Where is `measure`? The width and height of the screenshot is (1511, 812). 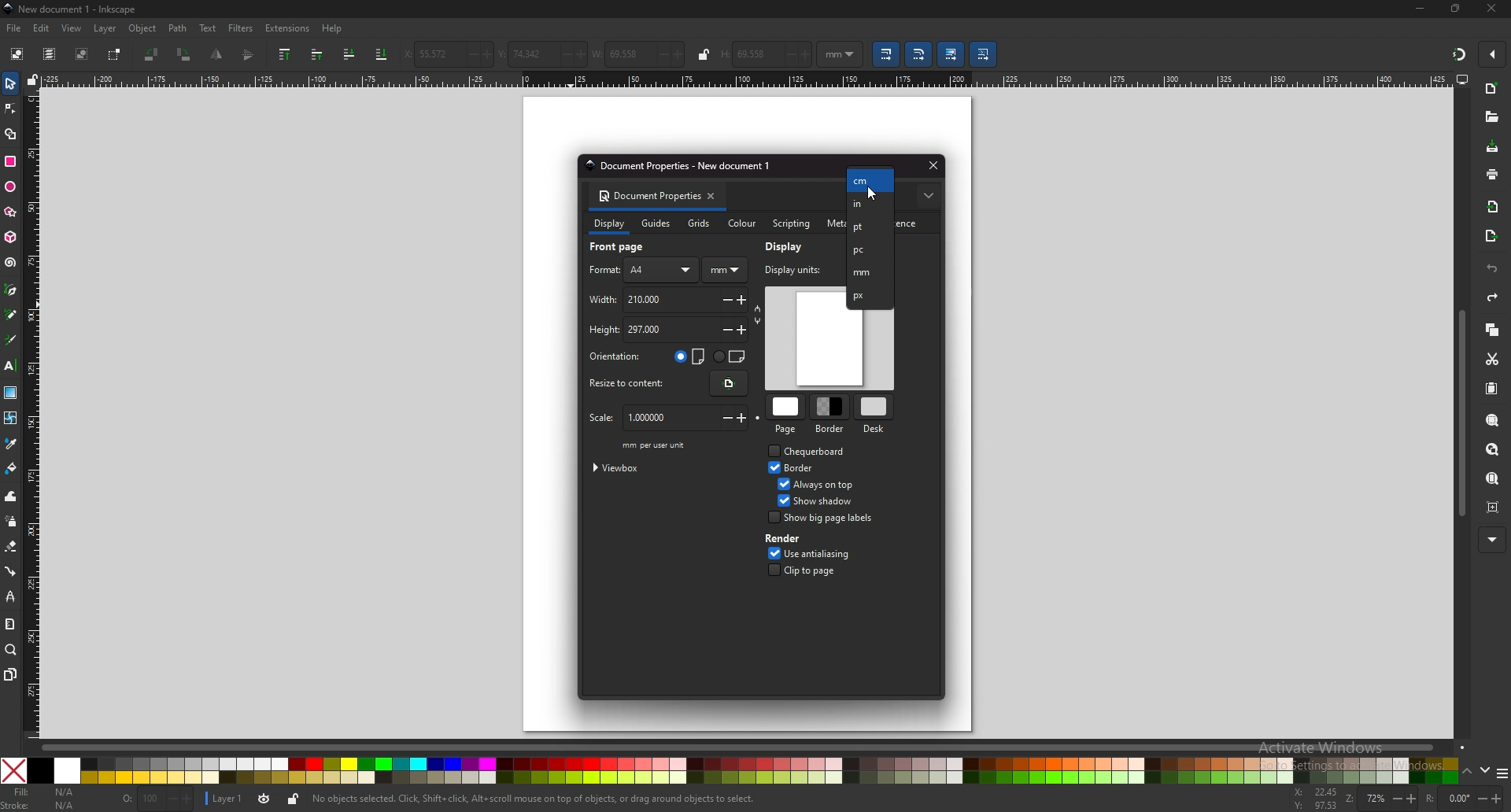
measure is located at coordinates (10, 624).